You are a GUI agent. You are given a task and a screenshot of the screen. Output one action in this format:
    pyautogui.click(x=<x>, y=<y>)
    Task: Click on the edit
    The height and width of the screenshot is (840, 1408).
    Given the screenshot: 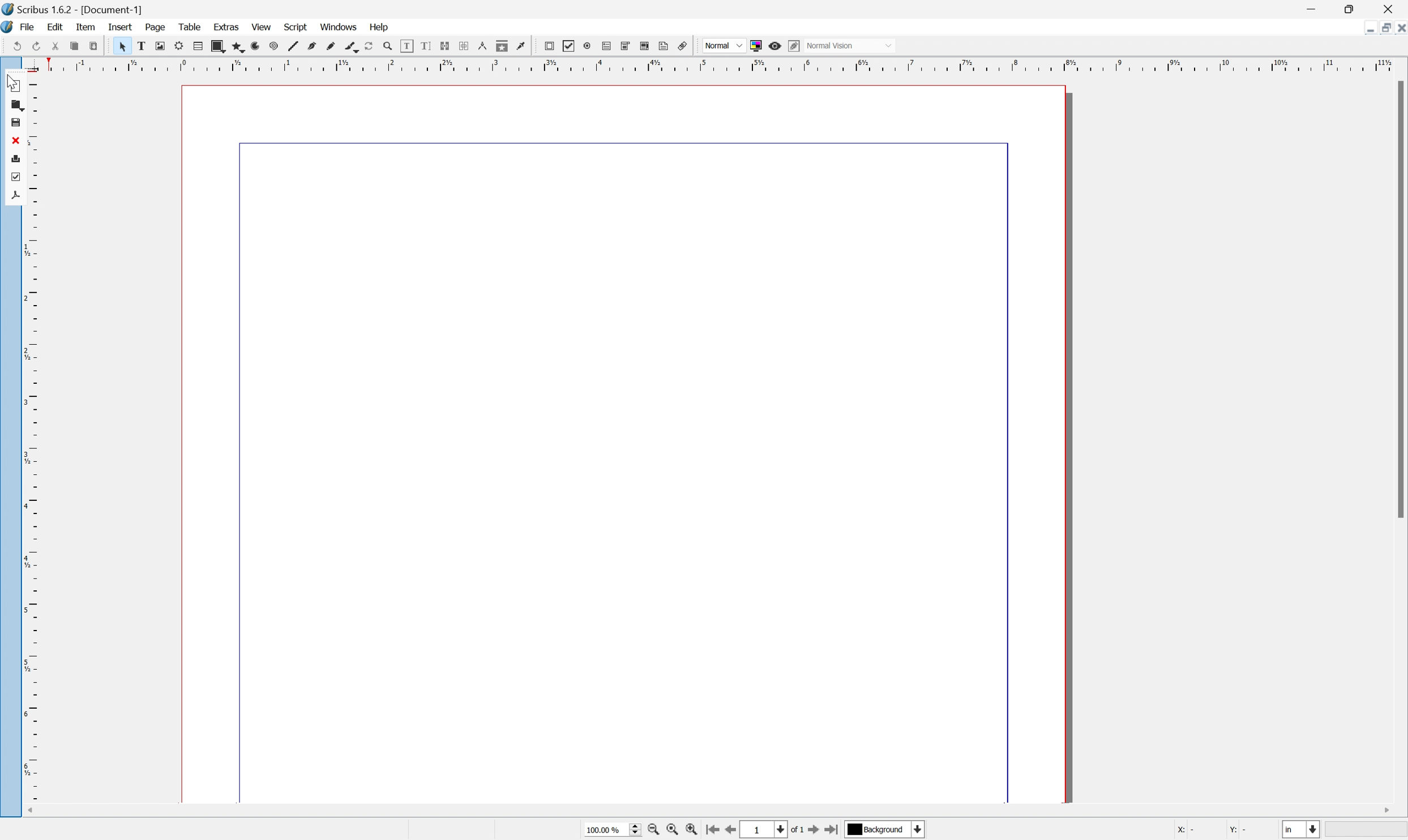 What is the action you would take?
    pyautogui.click(x=55, y=26)
    